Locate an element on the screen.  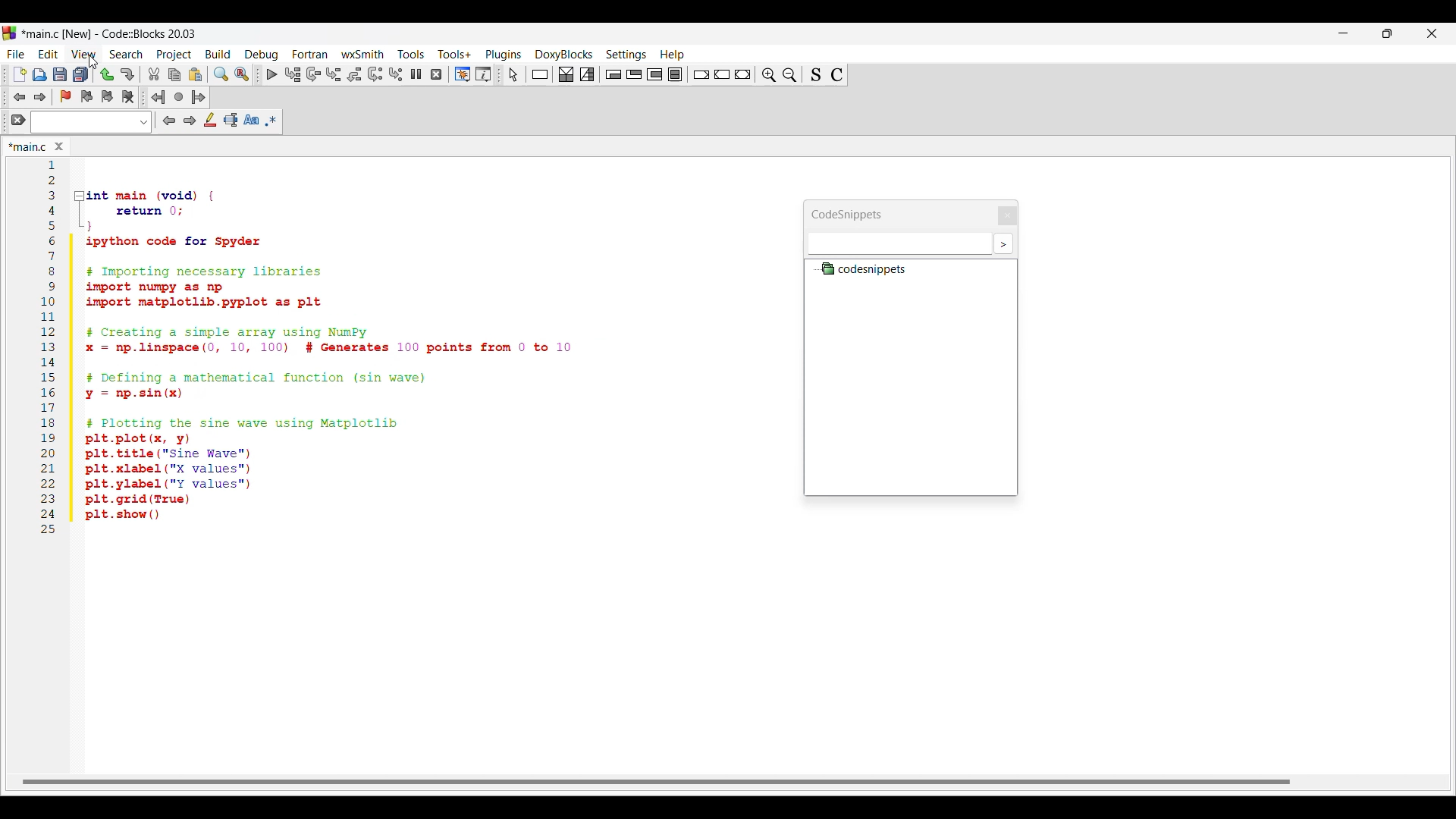
Clear is located at coordinates (19, 120).